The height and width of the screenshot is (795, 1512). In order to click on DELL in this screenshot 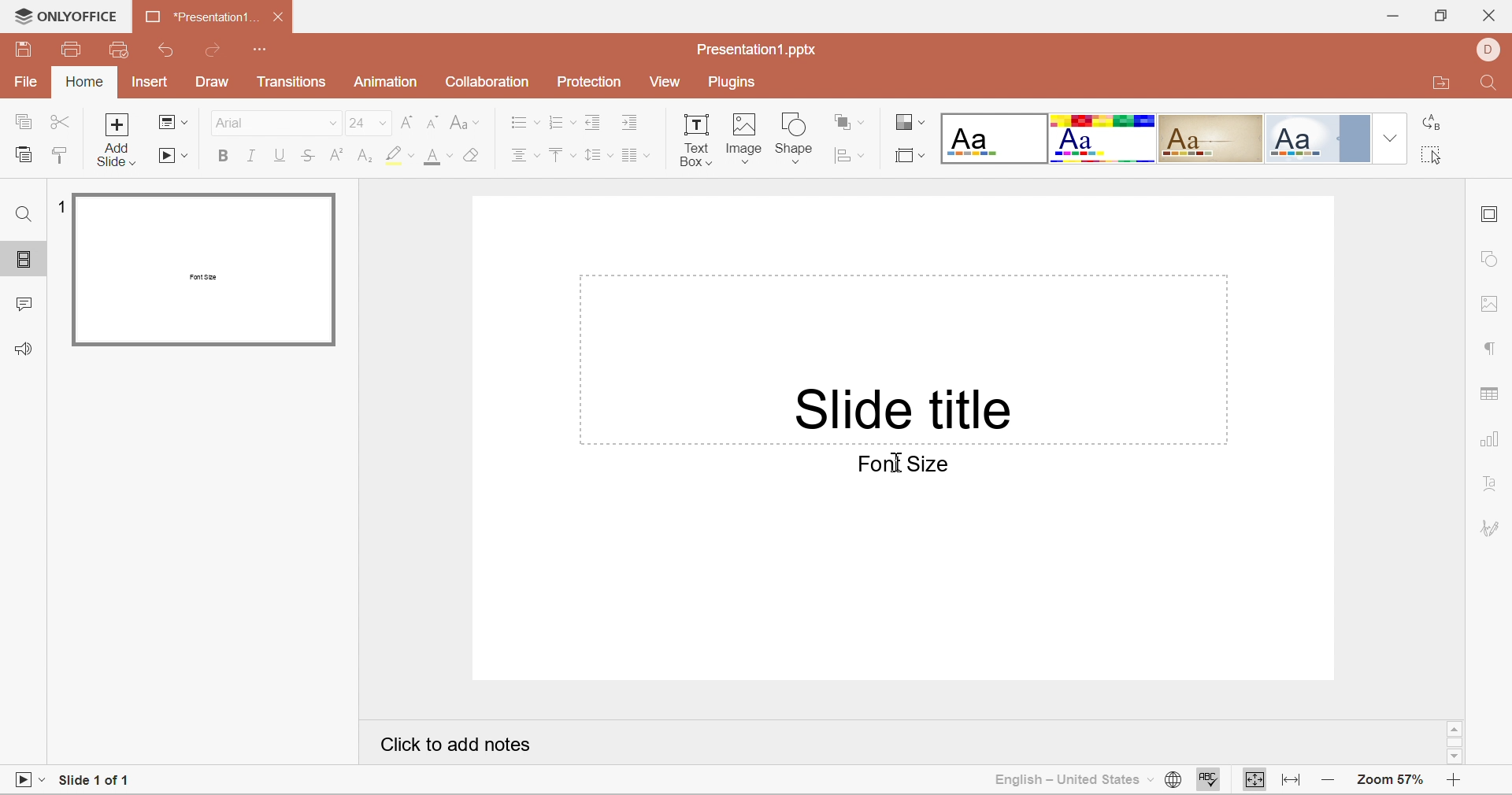, I will do `click(1489, 49)`.